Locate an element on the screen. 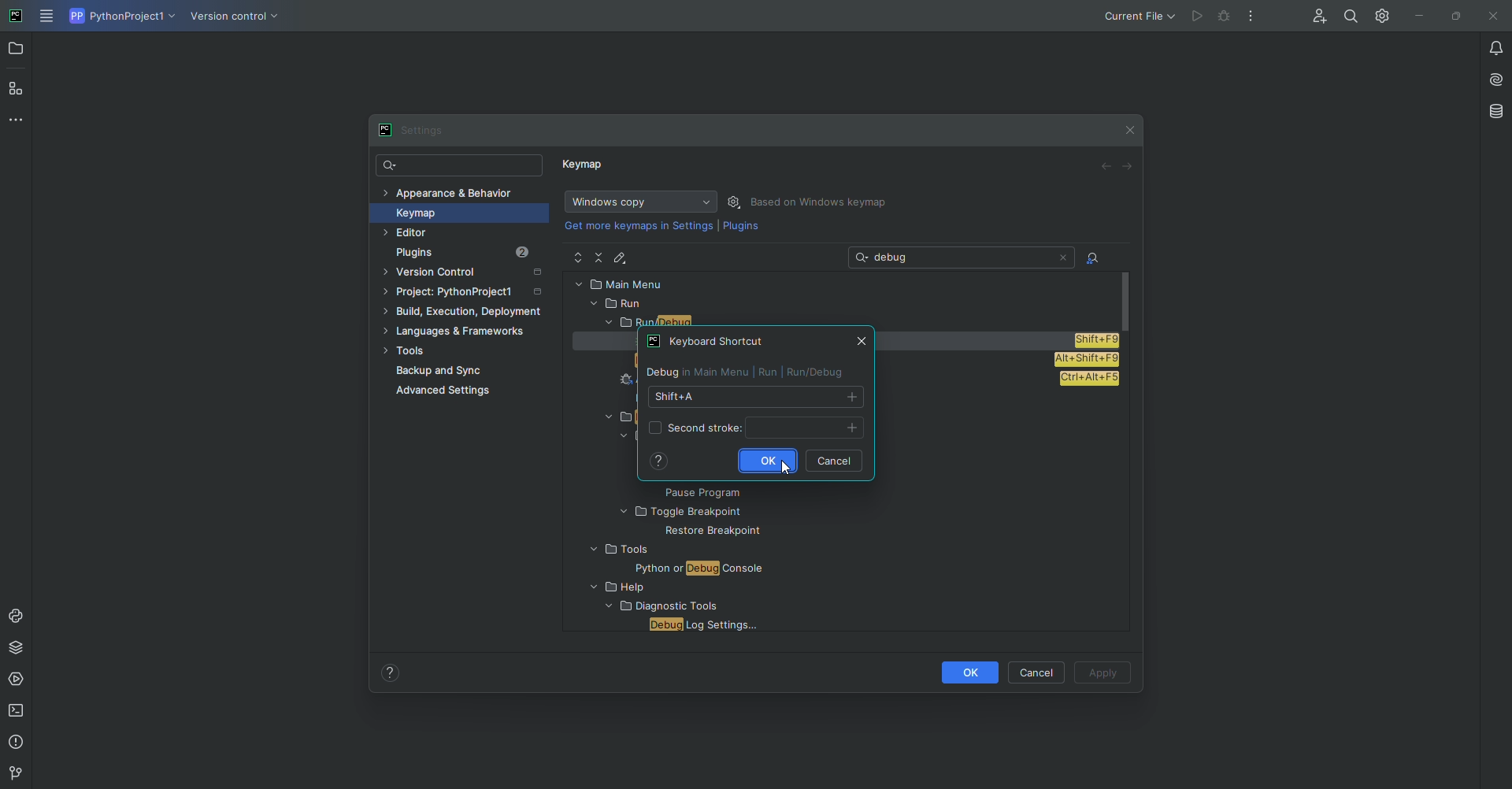 This screenshot has height=789, width=1512. Console is located at coordinates (17, 616).